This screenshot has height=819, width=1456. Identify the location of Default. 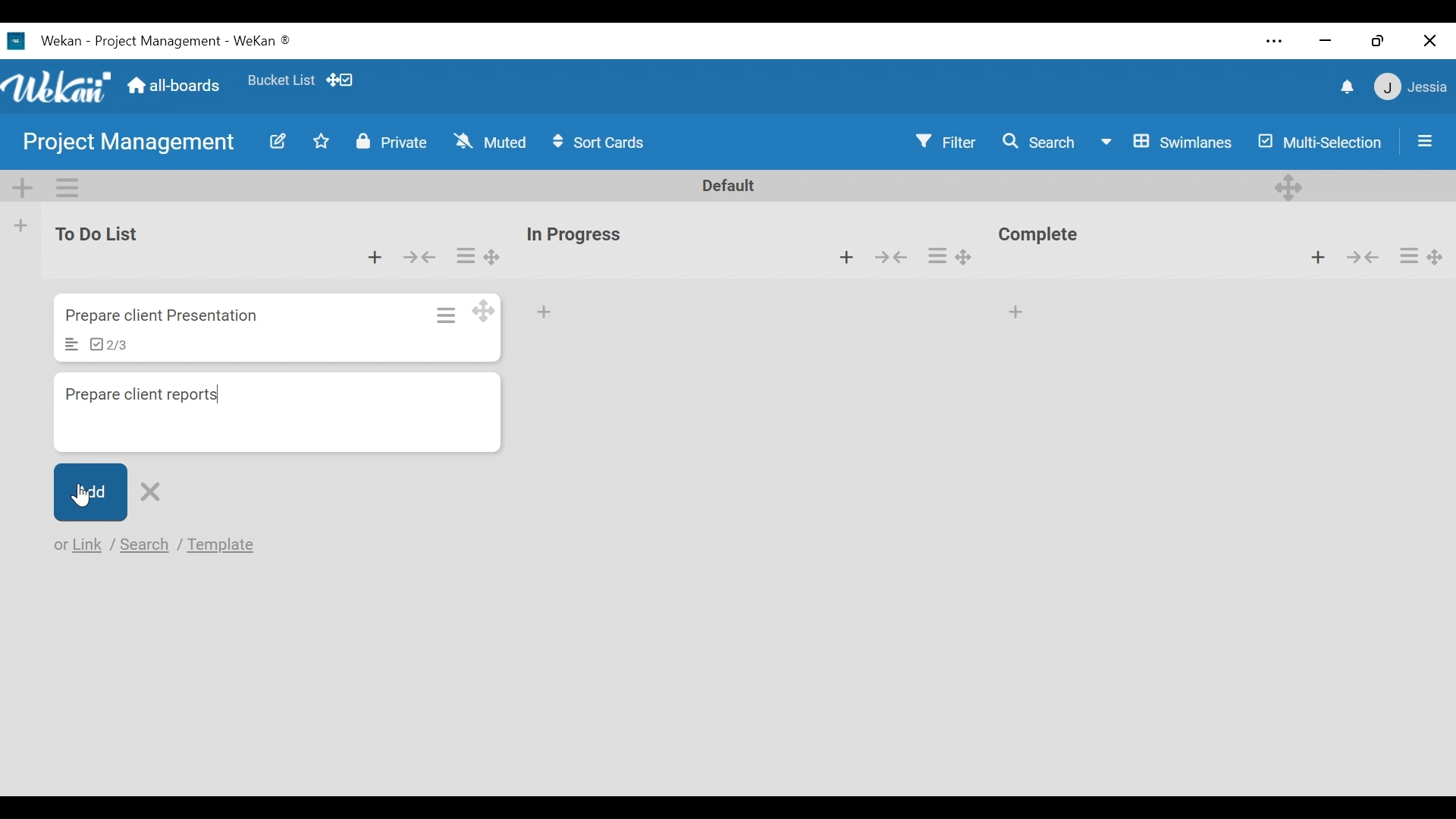
(730, 187).